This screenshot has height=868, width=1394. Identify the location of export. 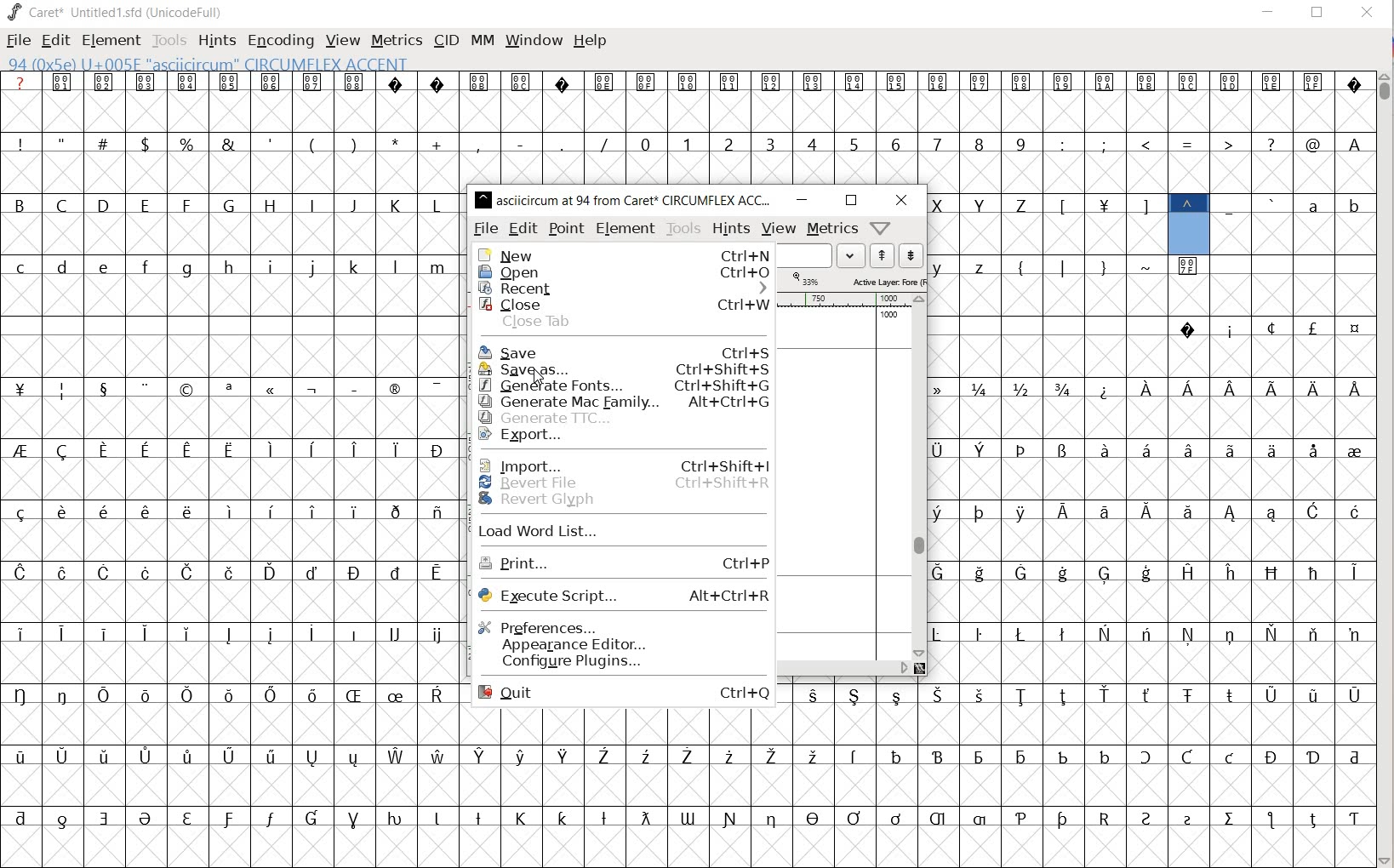
(625, 439).